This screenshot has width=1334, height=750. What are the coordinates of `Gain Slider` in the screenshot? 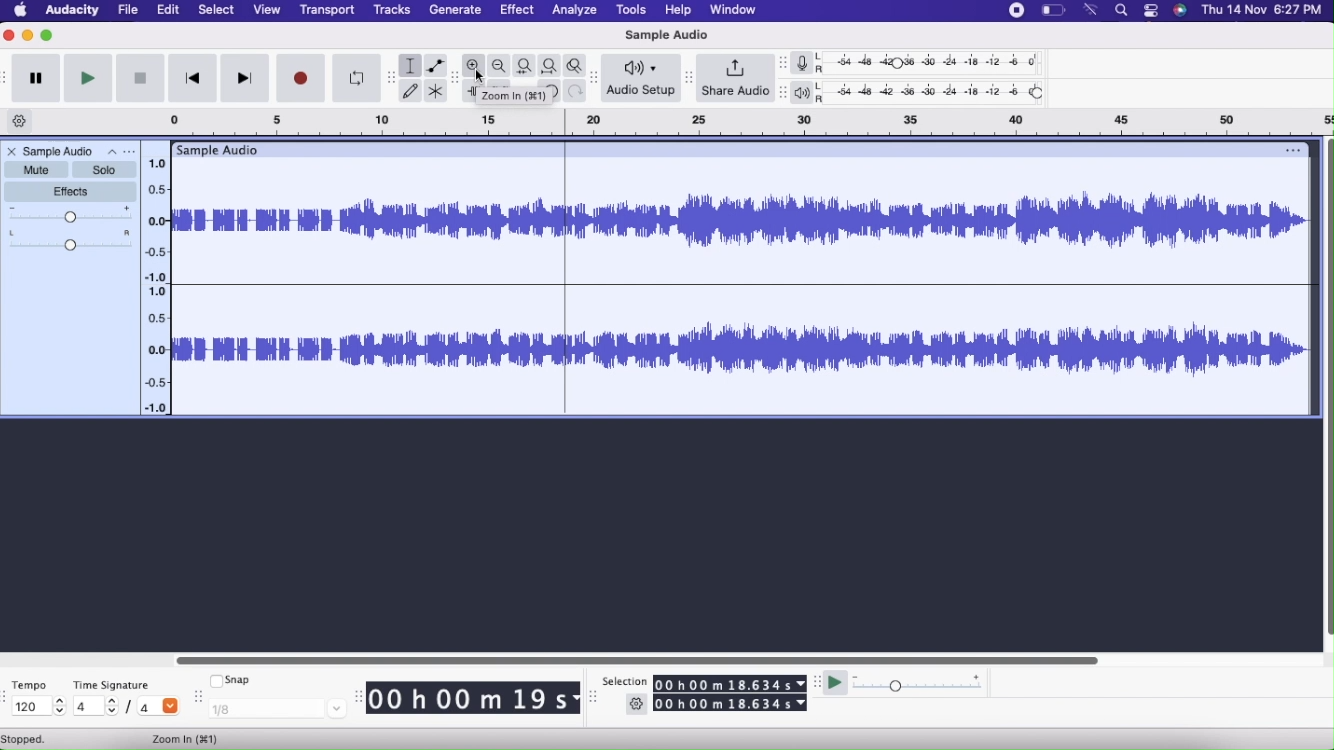 It's located at (71, 215).